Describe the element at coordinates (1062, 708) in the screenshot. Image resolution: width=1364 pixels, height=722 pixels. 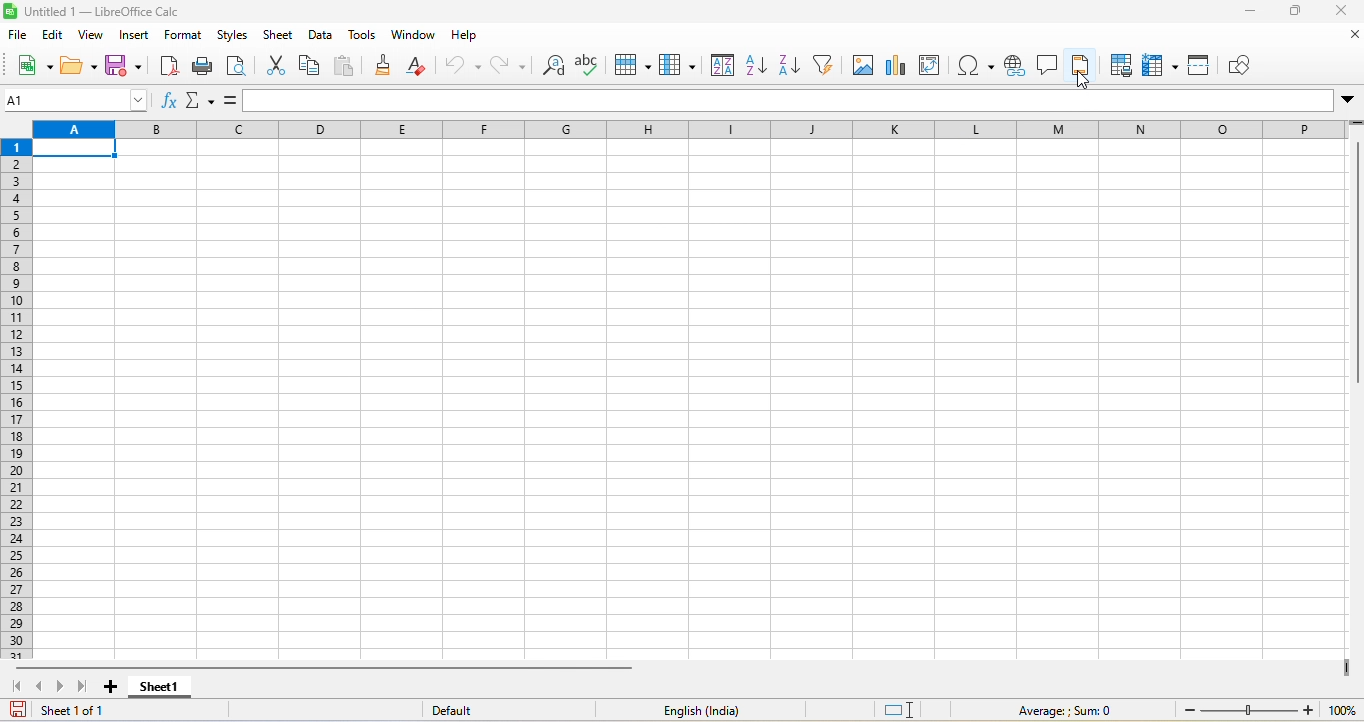
I see `average: sum=0` at that location.